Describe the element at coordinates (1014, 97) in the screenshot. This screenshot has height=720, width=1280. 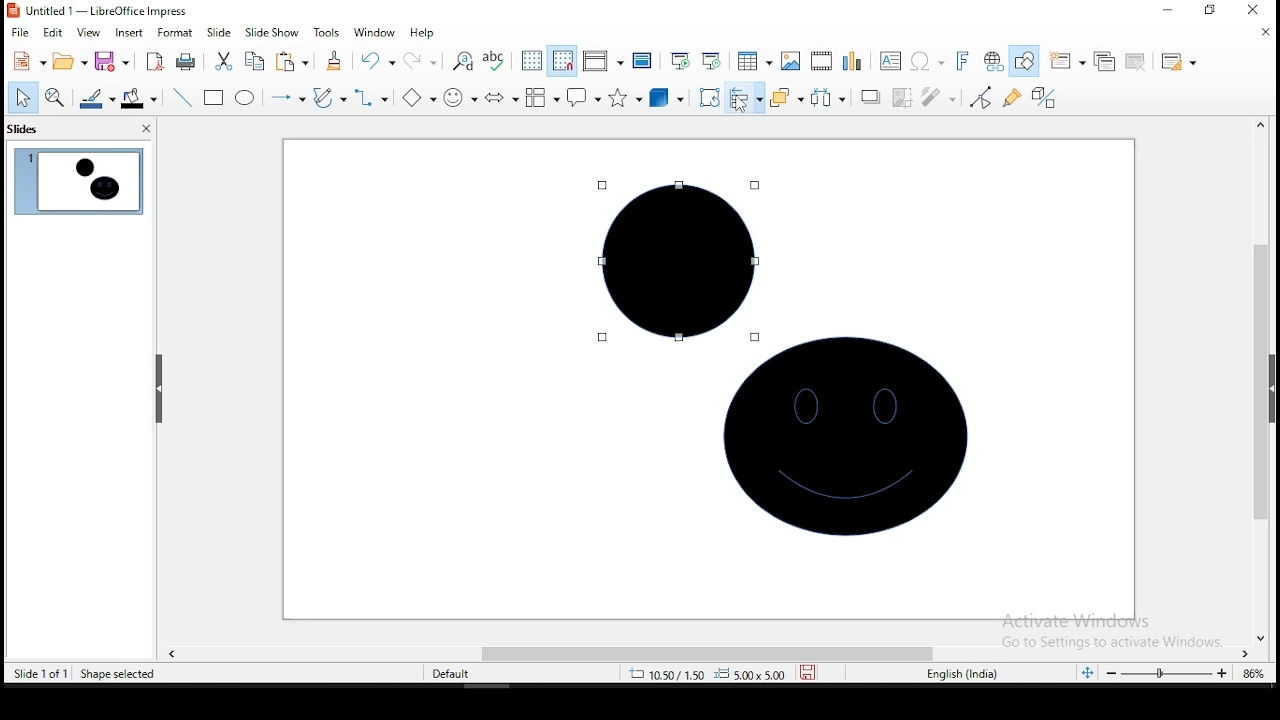
I see `show gluepoint draw functions` at that location.